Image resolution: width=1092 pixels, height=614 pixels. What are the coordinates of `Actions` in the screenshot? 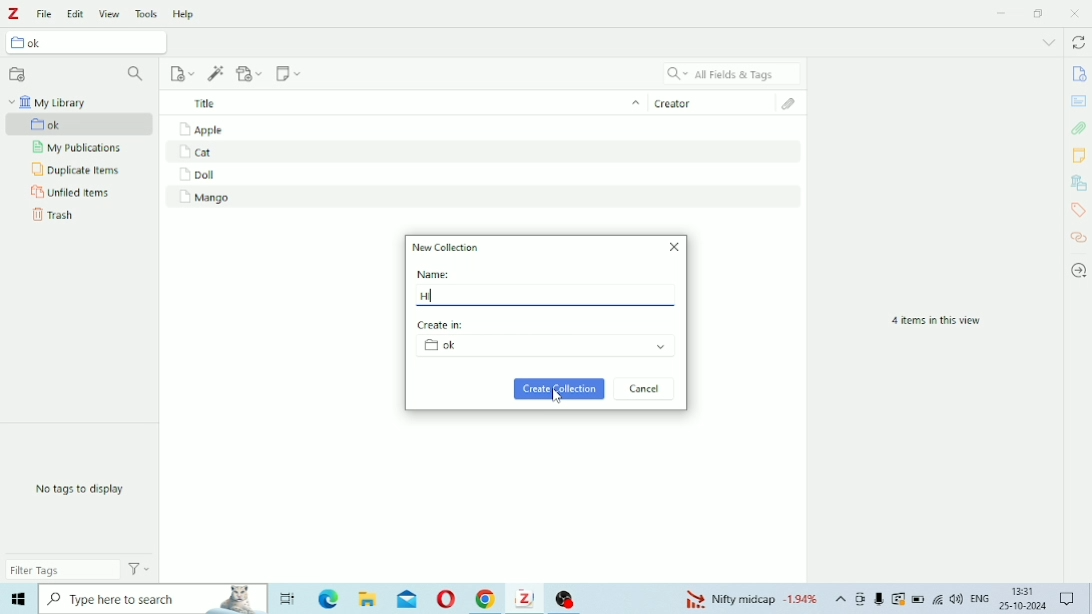 It's located at (139, 568).